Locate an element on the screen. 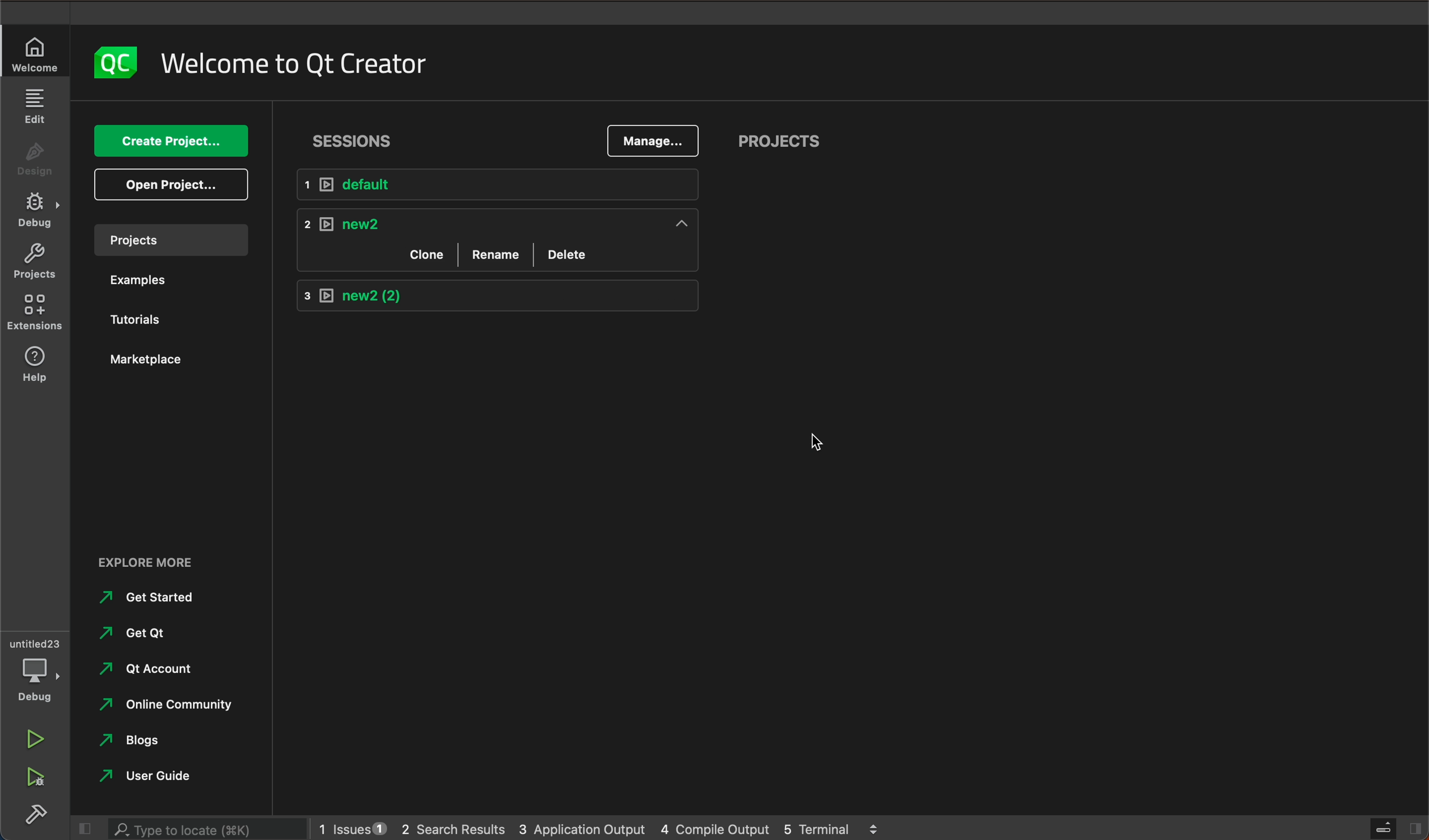 This screenshot has height=840, width=1429. compile output is located at coordinates (712, 828).